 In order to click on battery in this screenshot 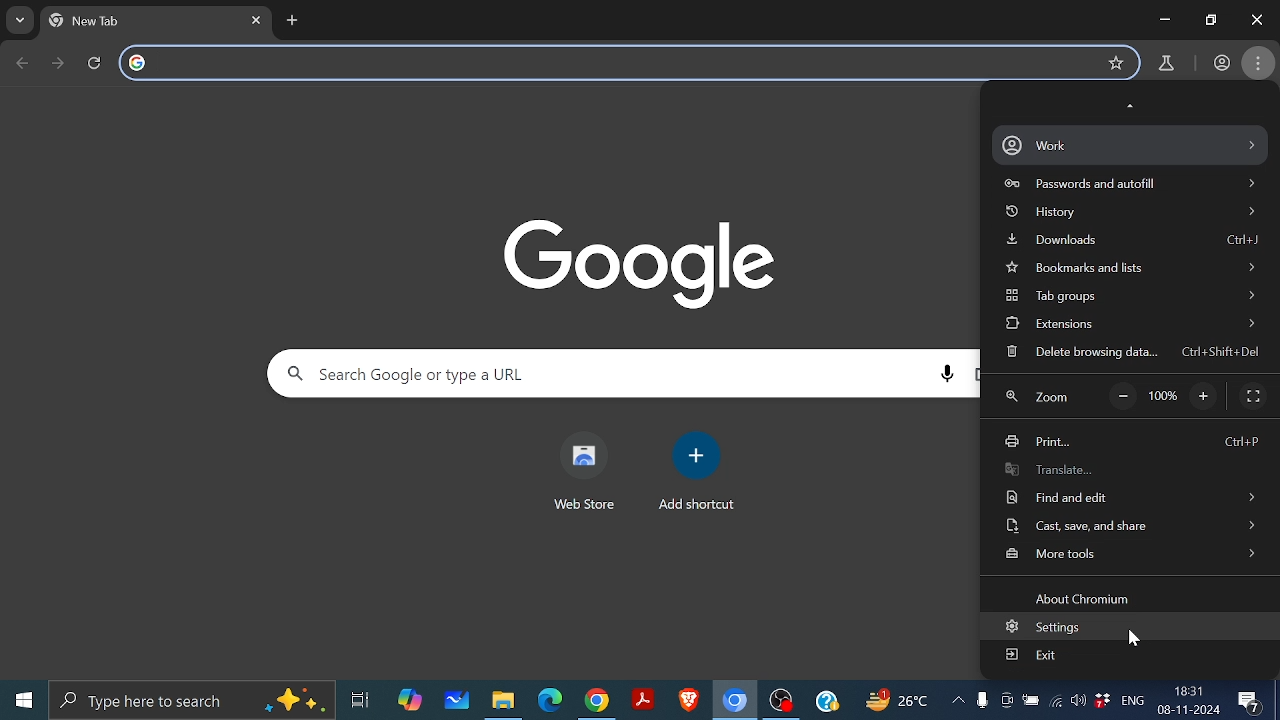, I will do `click(1031, 704)`.